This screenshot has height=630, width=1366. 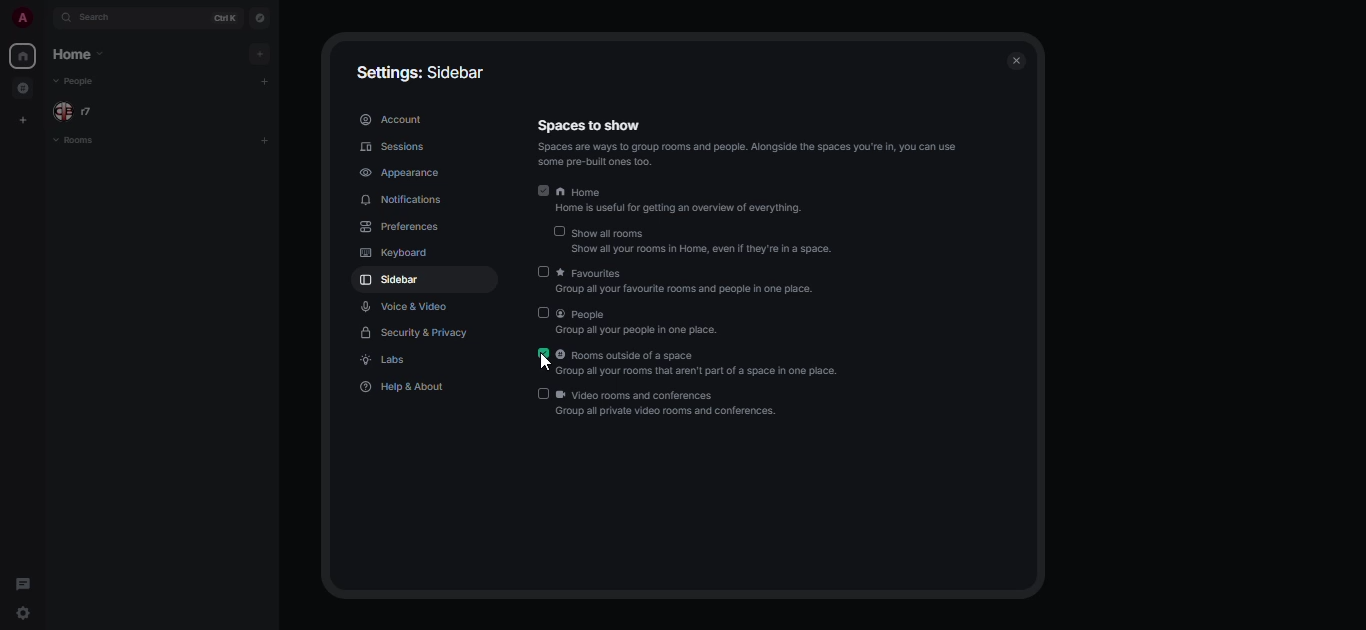 I want to click on home, so click(x=684, y=202).